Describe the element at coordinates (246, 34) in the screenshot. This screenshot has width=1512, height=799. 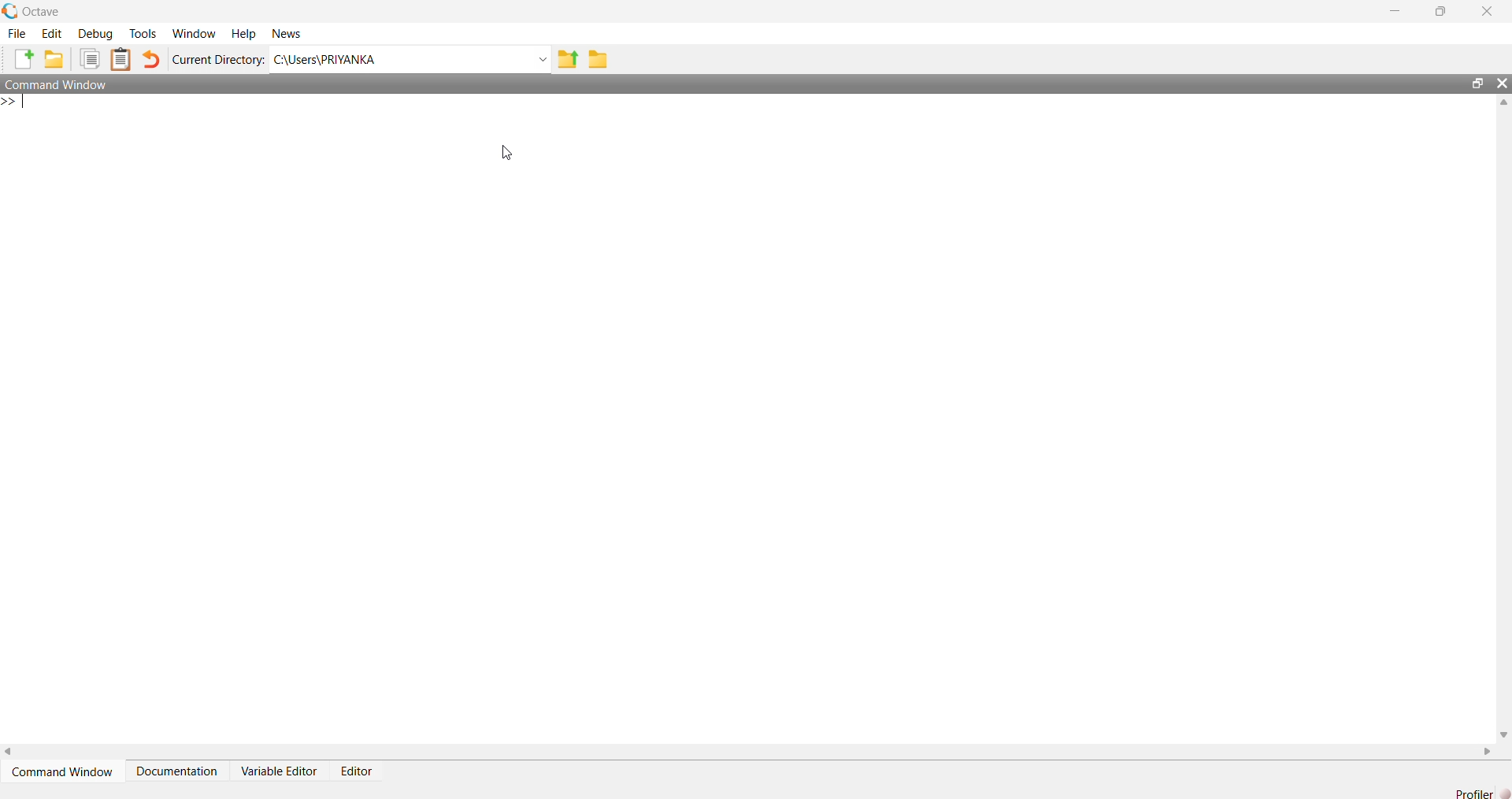
I see `Help` at that location.